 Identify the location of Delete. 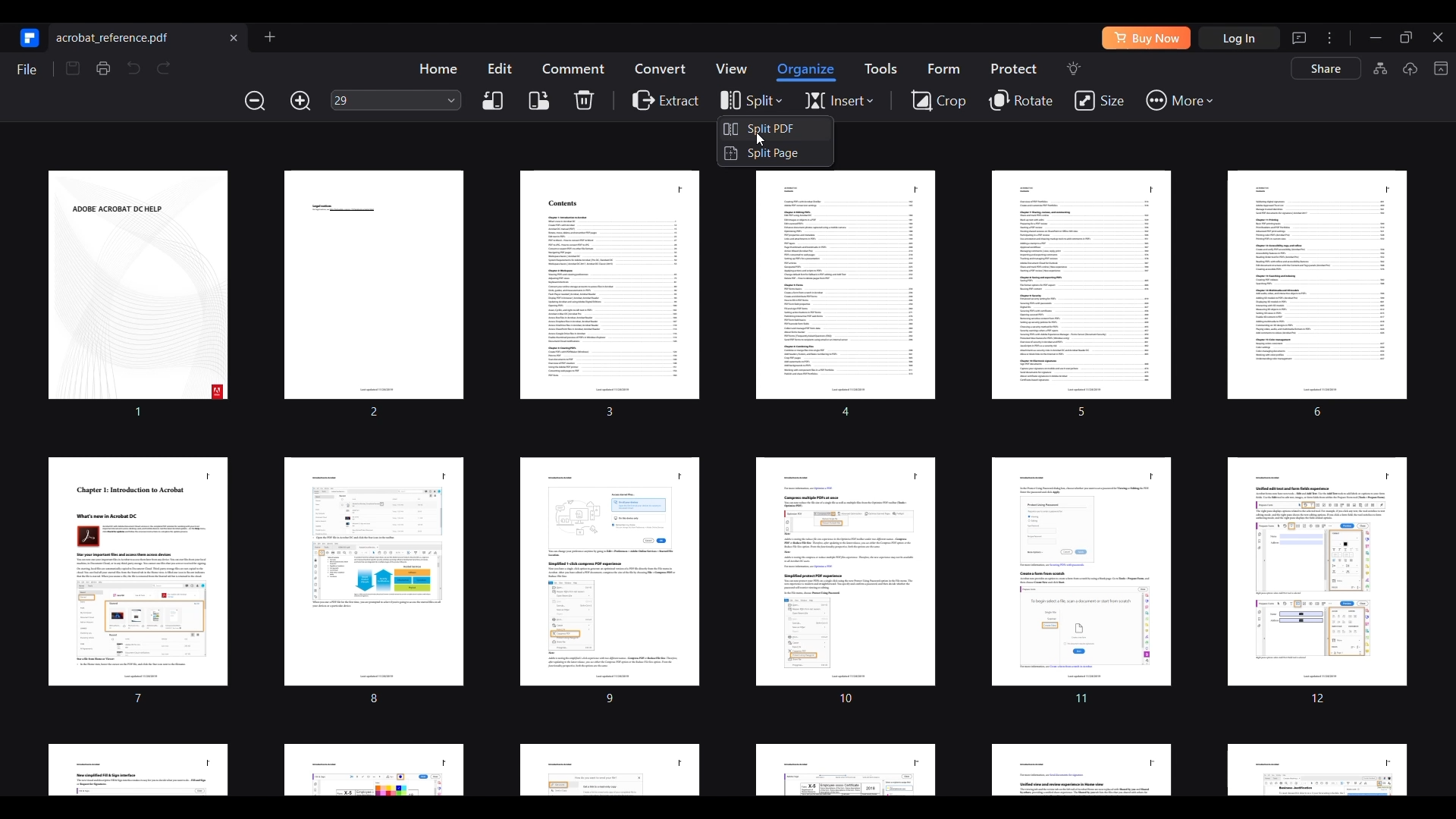
(584, 99).